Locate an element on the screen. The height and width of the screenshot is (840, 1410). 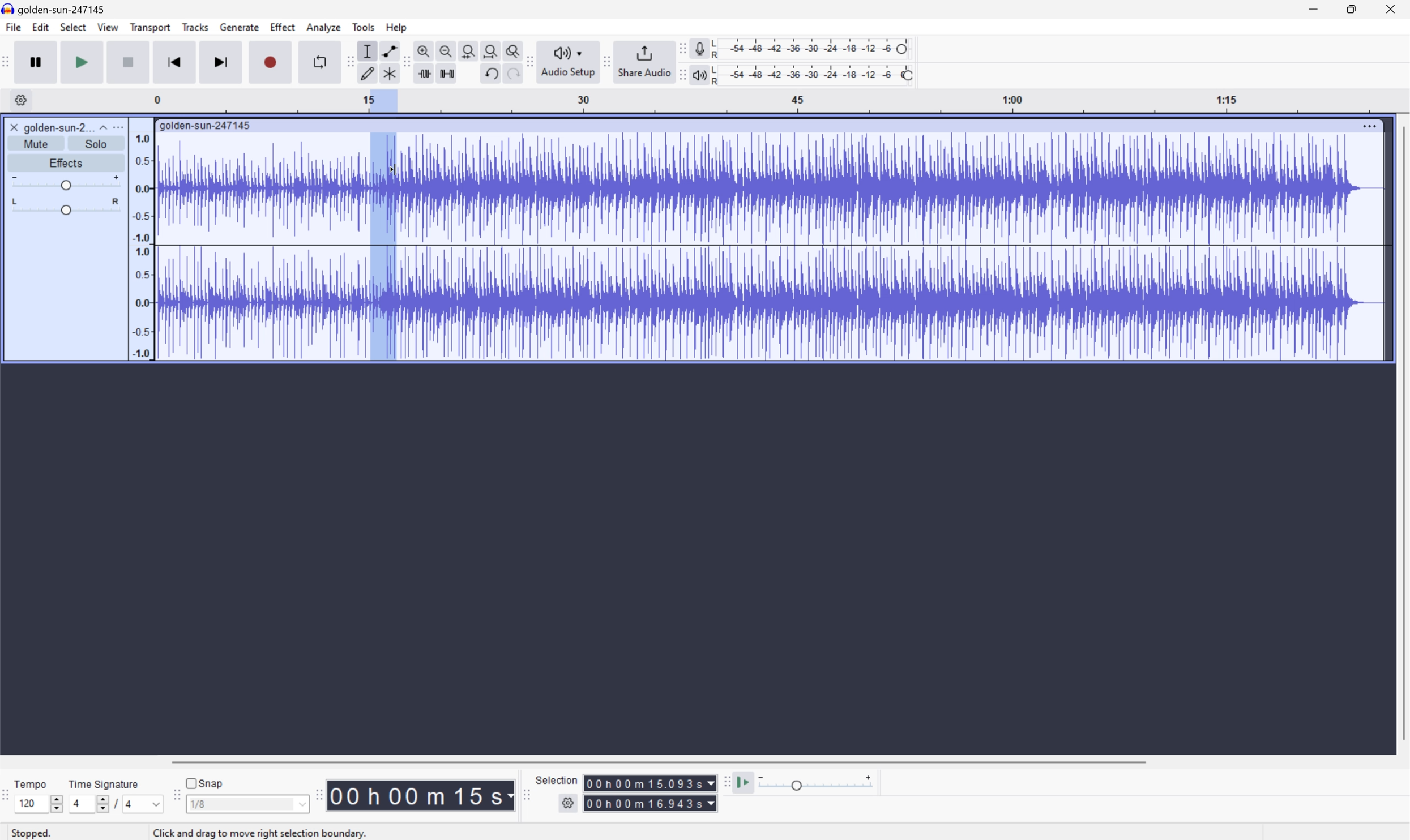
Scroll Bar is located at coordinates (1401, 434).